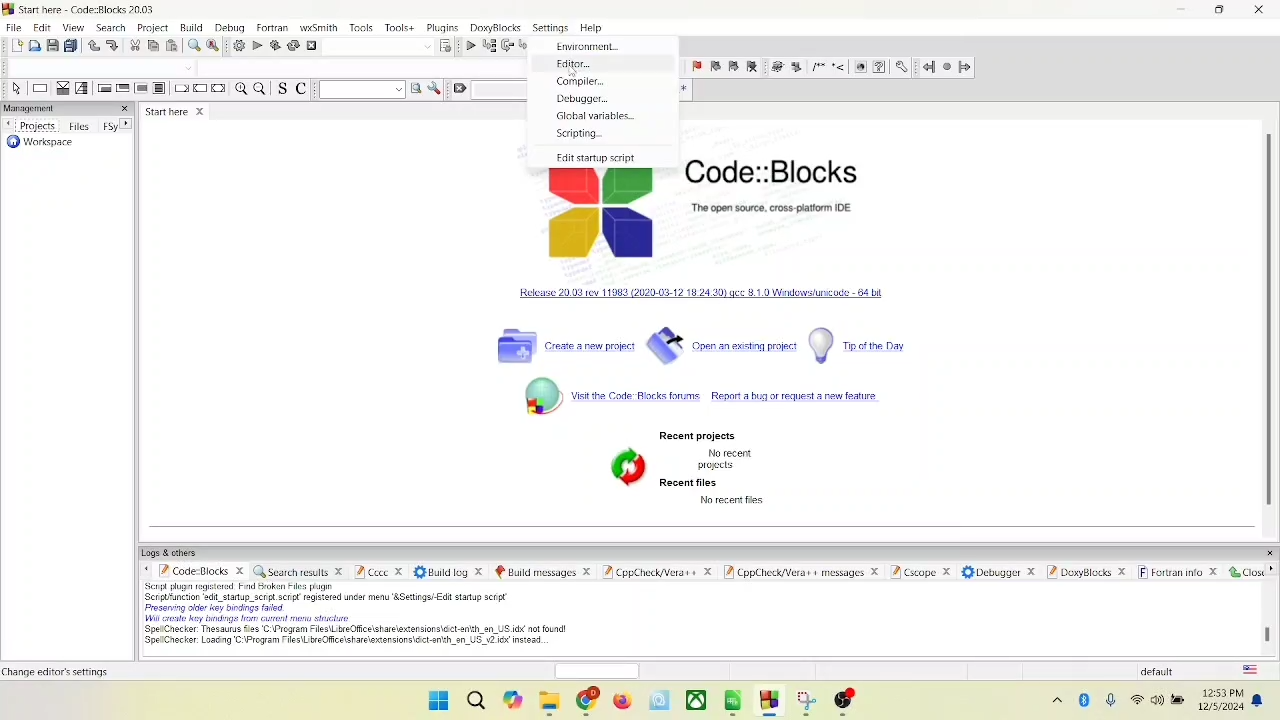 The height and width of the screenshot is (720, 1280). What do you see at coordinates (536, 397) in the screenshot?
I see `symbol` at bounding box center [536, 397].